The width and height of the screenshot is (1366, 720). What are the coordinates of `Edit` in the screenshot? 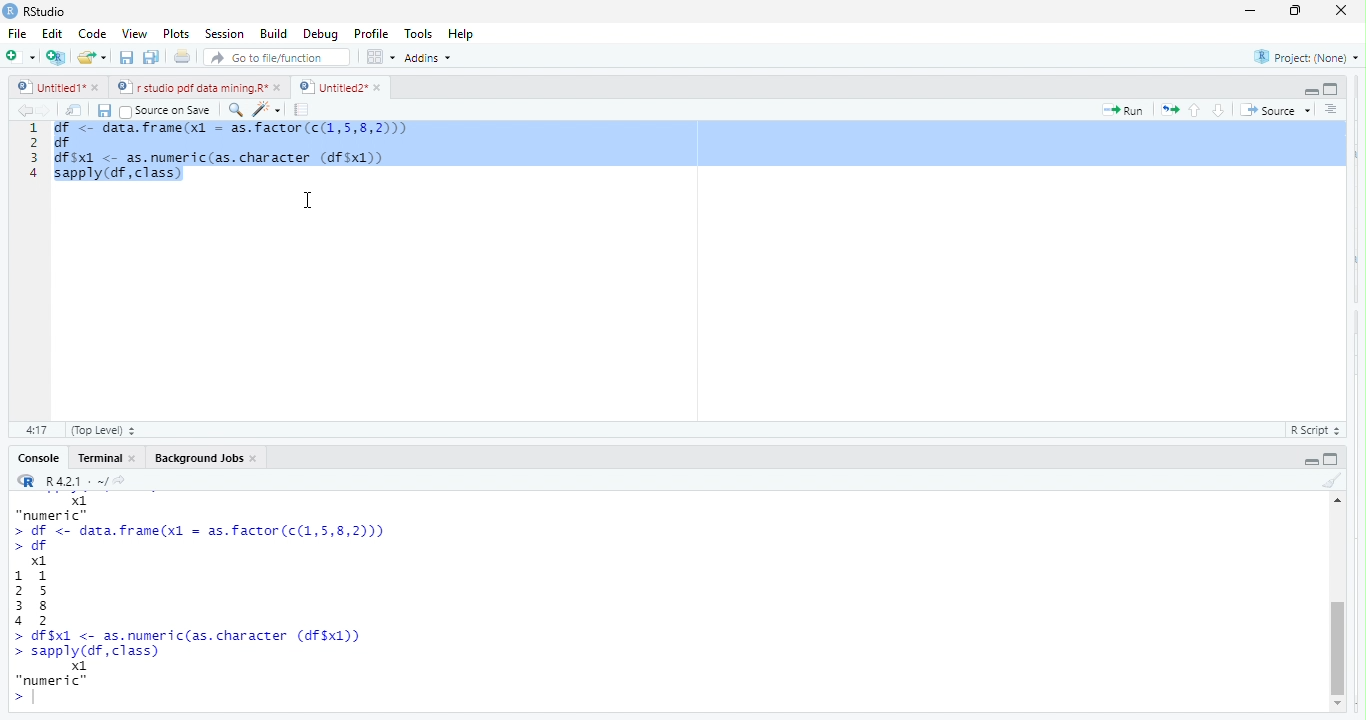 It's located at (55, 34).